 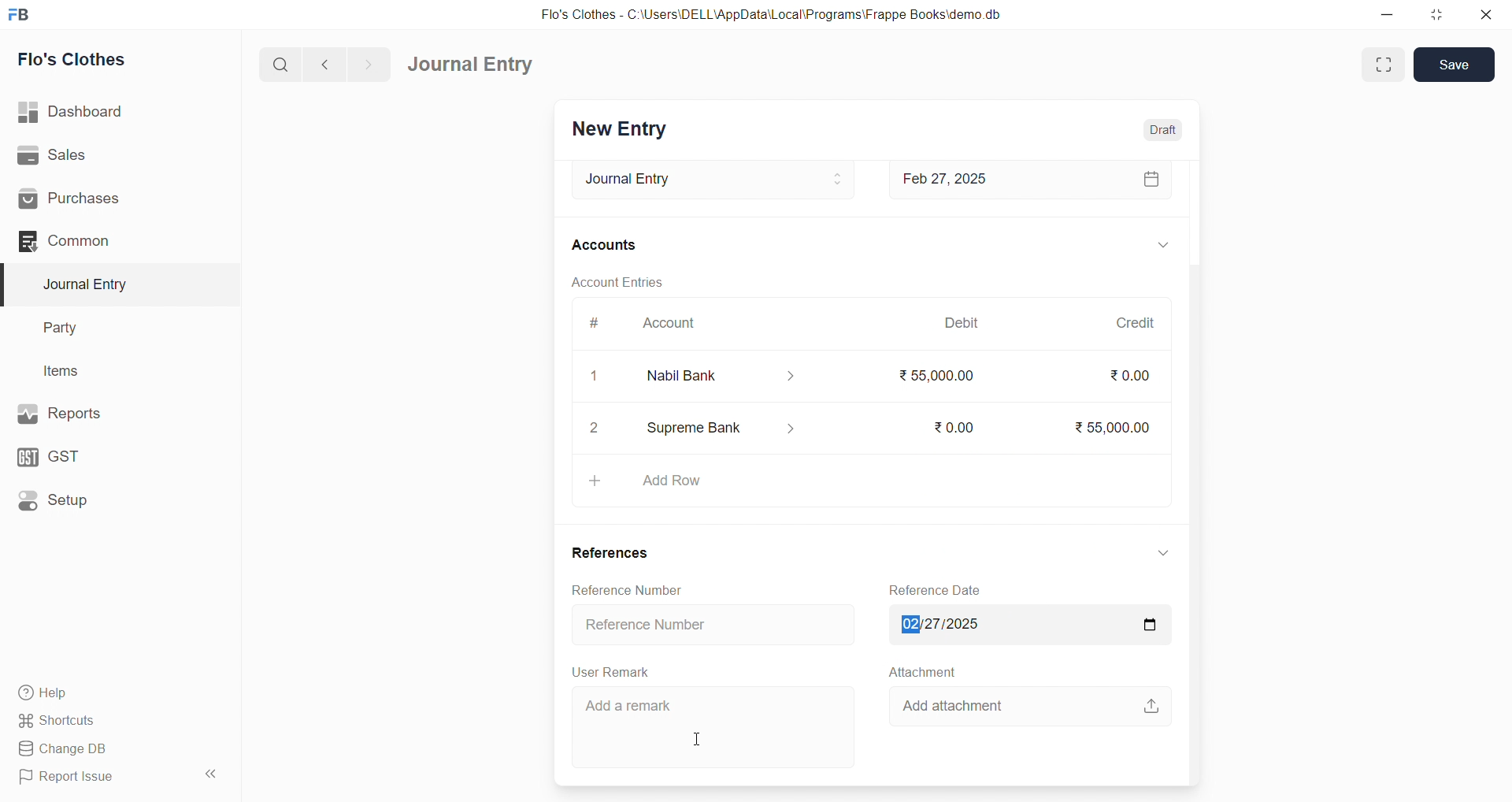 What do you see at coordinates (1381, 65) in the screenshot?
I see `Fit window` at bounding box center [1381, 65].